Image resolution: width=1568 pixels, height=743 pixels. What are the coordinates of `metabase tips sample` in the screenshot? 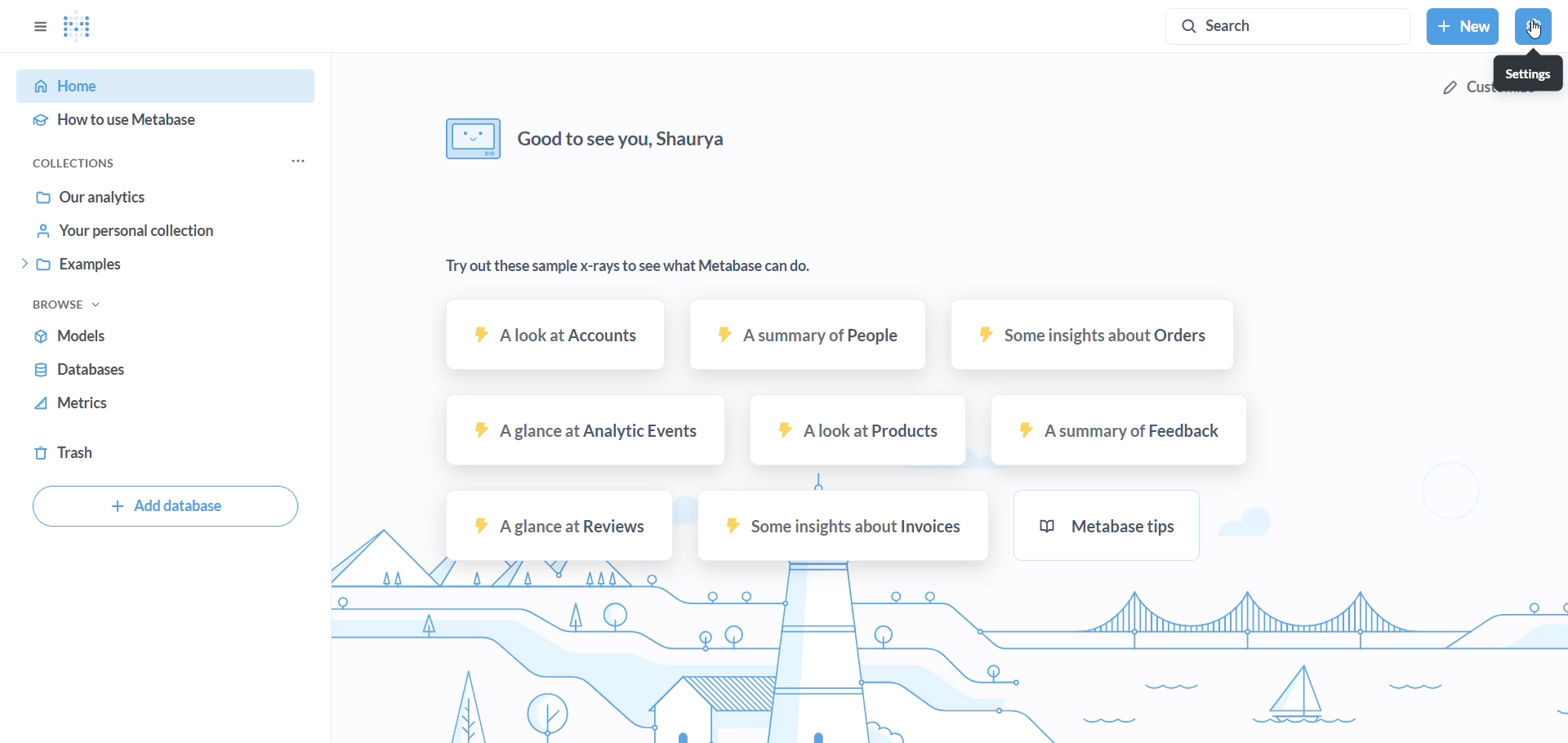 It's located at (1110, 527).